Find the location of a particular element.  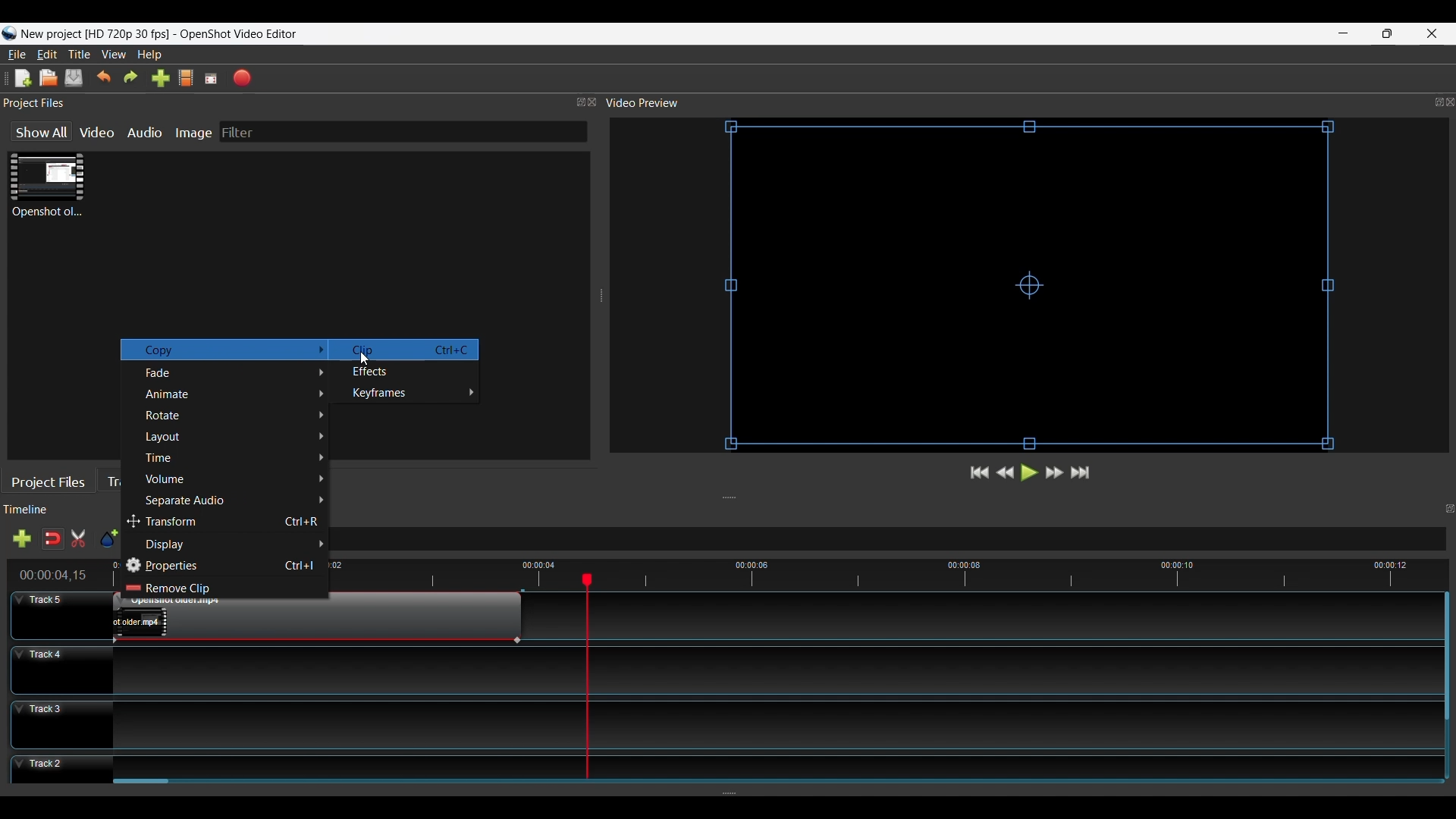

Time is located at coordinates (234, 457).